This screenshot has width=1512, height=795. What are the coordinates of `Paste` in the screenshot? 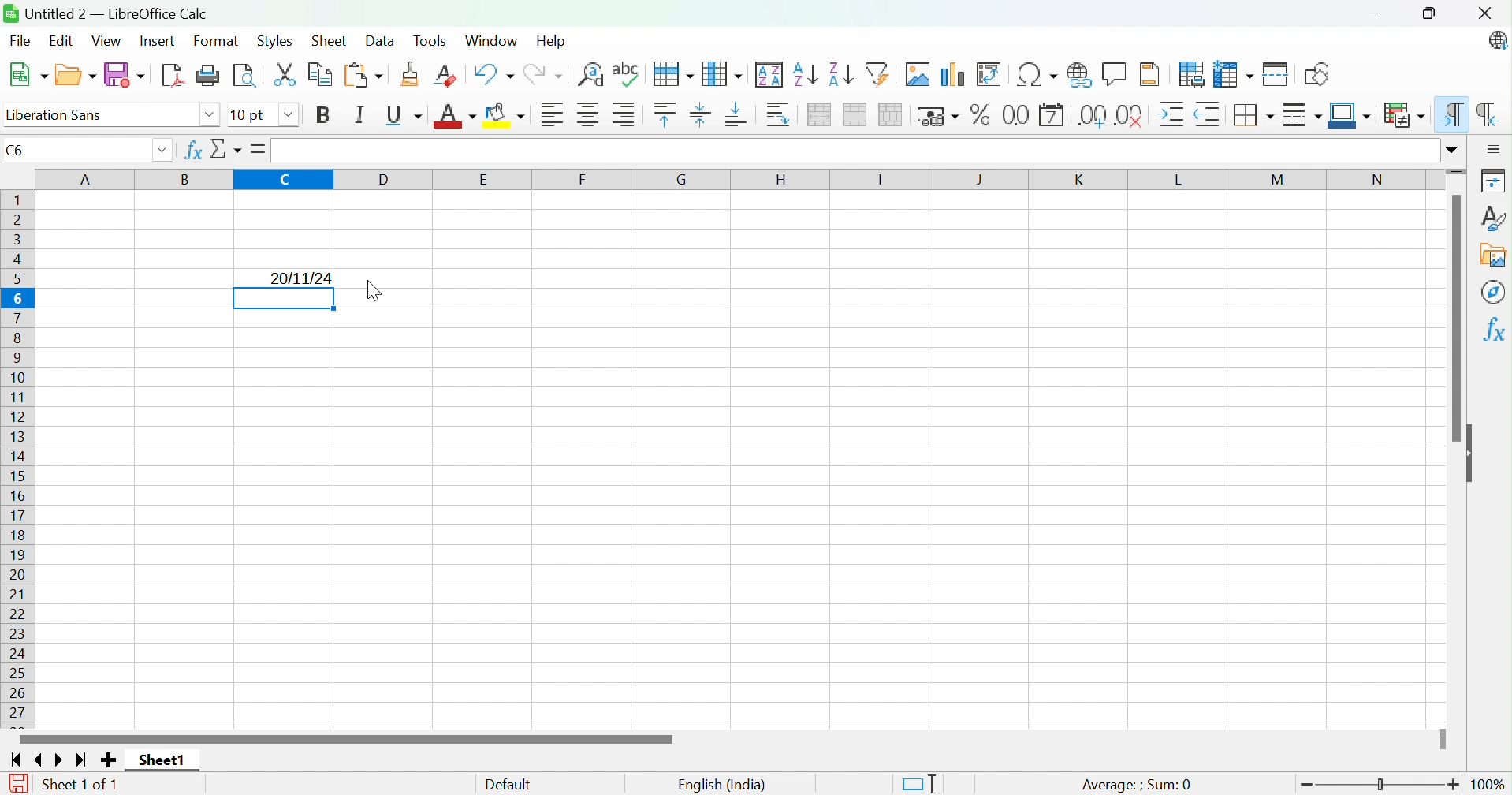 It's located at (361, 74).